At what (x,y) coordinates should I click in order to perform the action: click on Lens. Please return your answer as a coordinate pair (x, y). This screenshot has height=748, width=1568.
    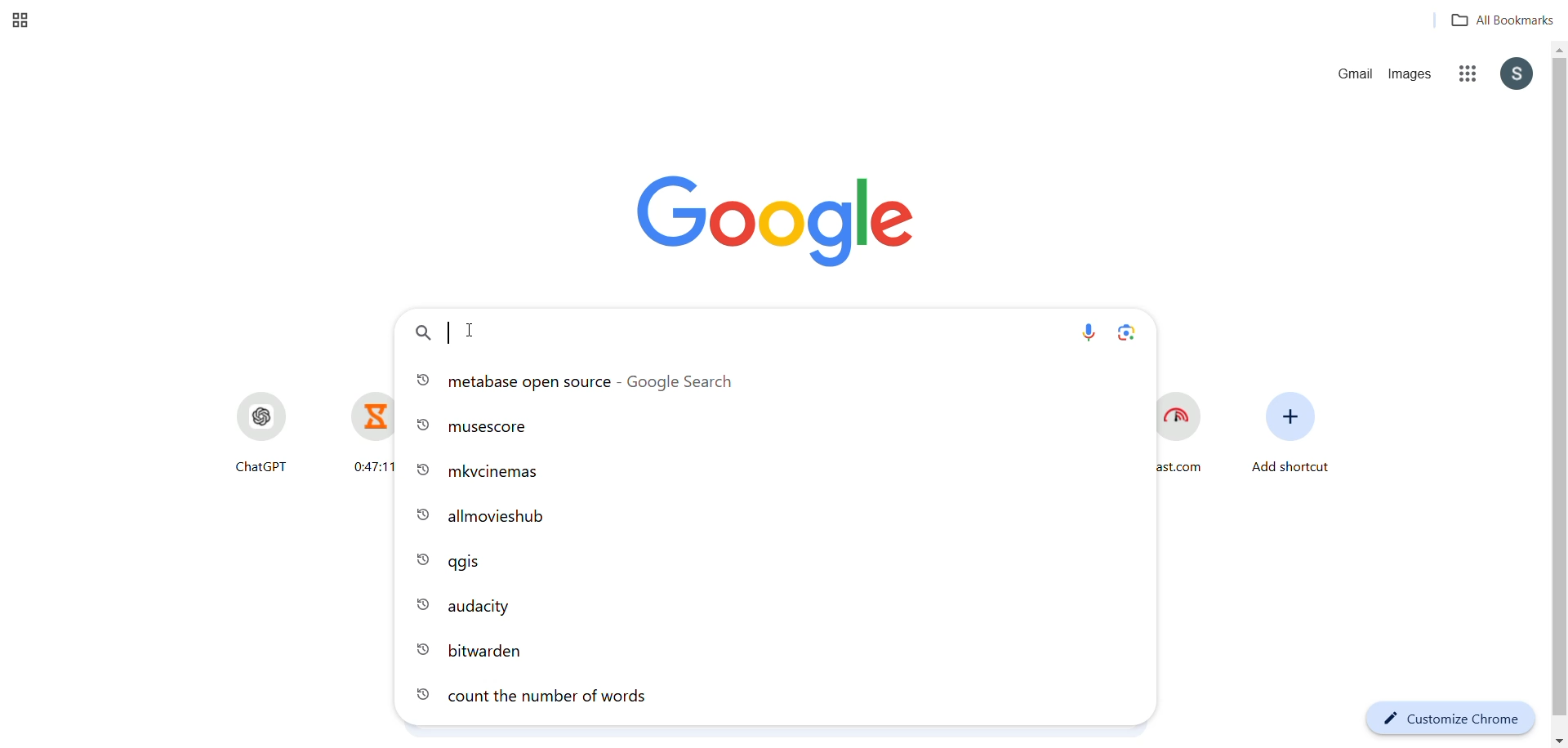
    Looking at the image, I should click on (1129, 334).